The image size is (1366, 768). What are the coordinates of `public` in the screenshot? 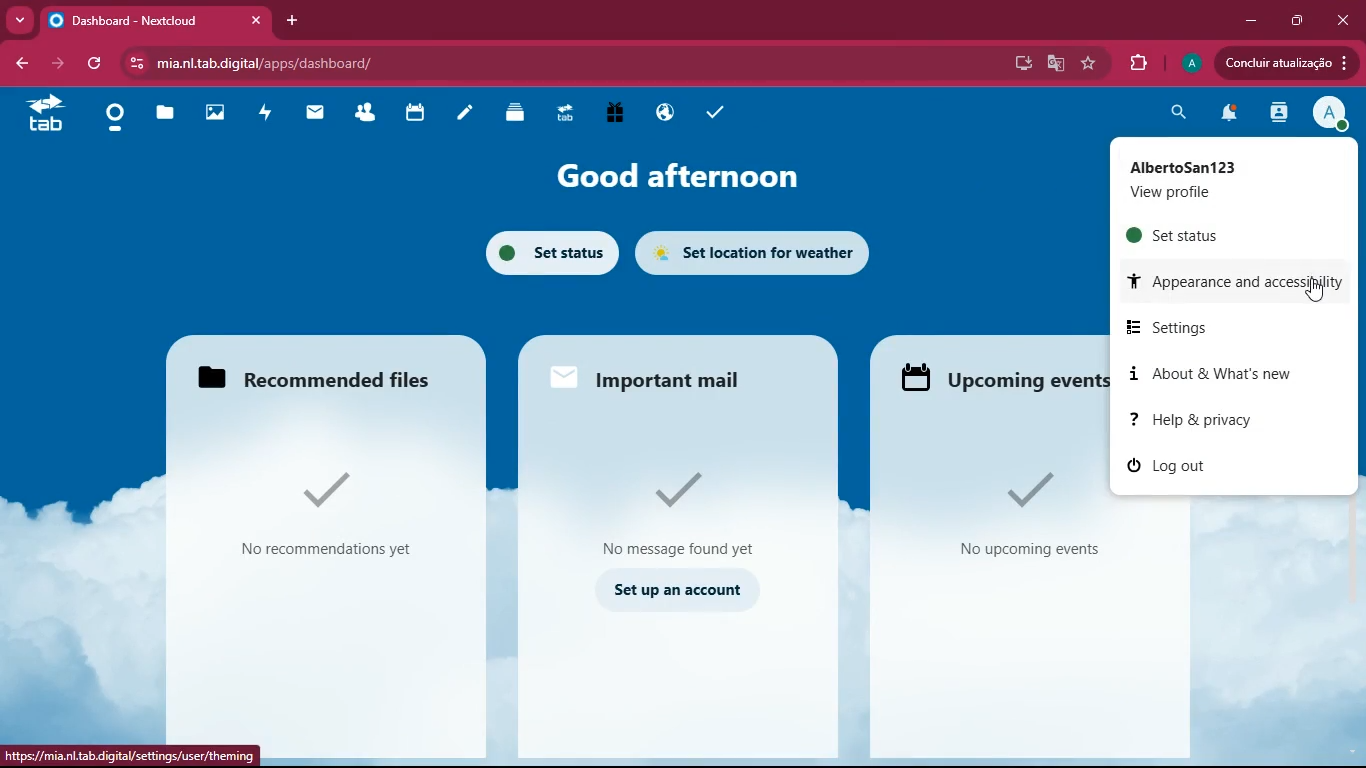 It's located at (669, 113).